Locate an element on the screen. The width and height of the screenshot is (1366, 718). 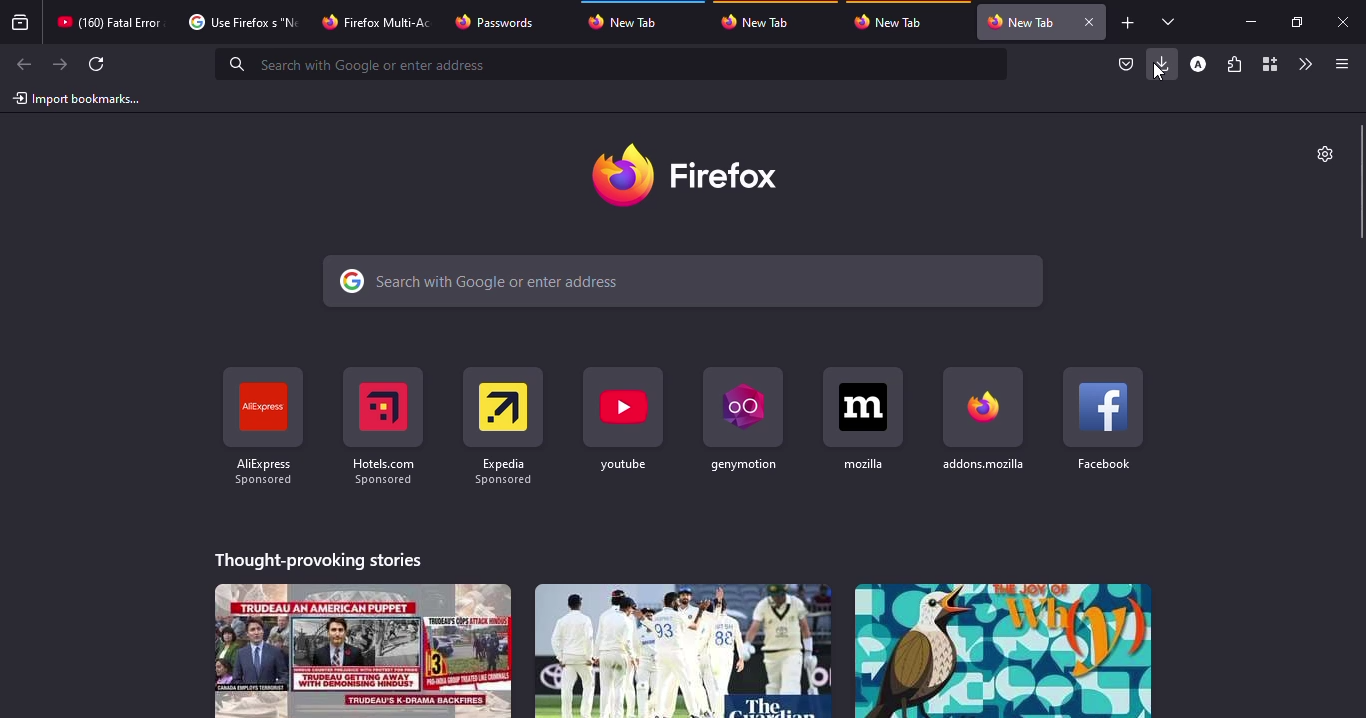
forward is located at coordinates (60, 64).